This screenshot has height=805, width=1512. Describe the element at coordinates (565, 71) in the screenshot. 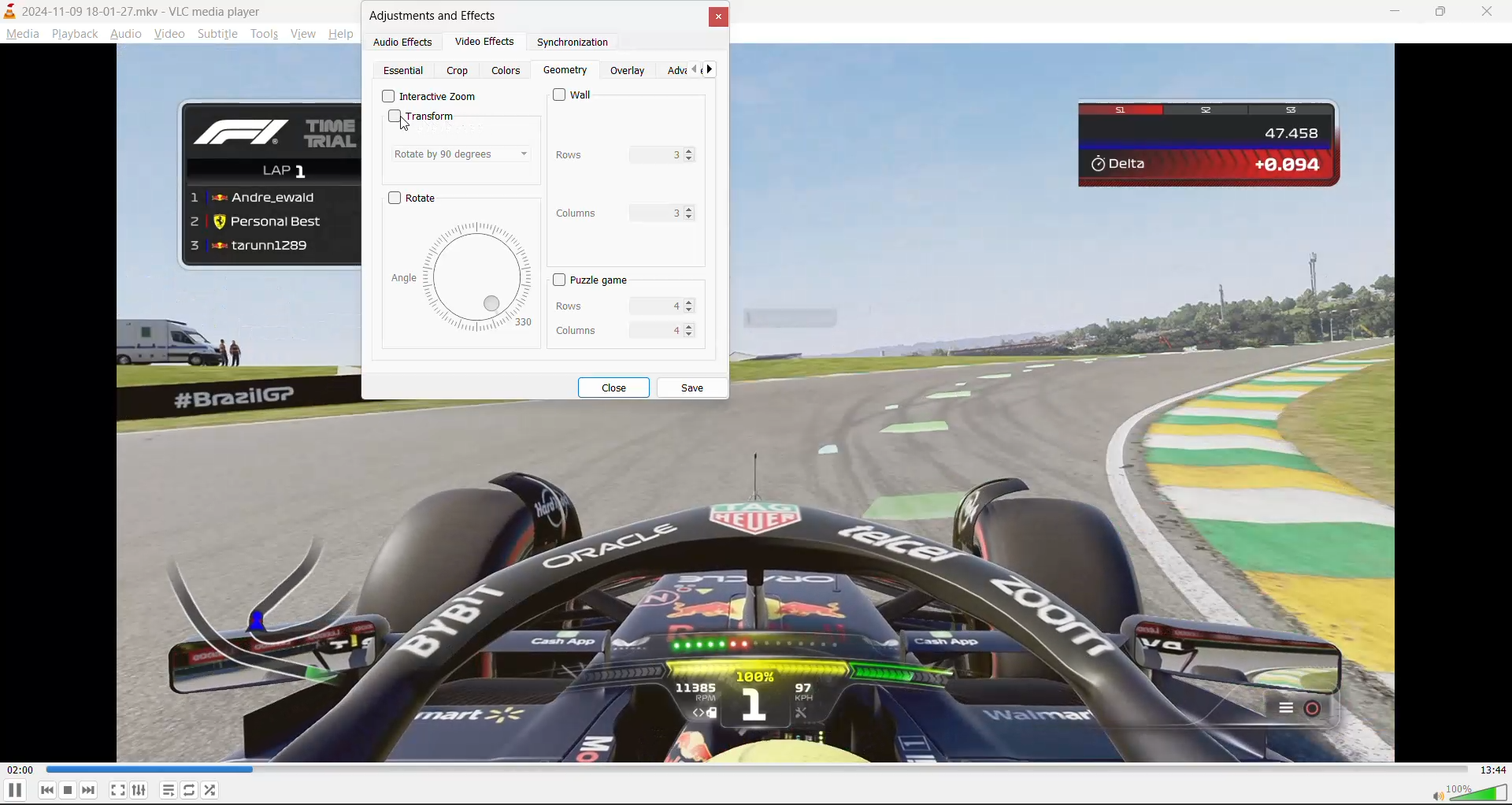

I see `Geometry` at that location.